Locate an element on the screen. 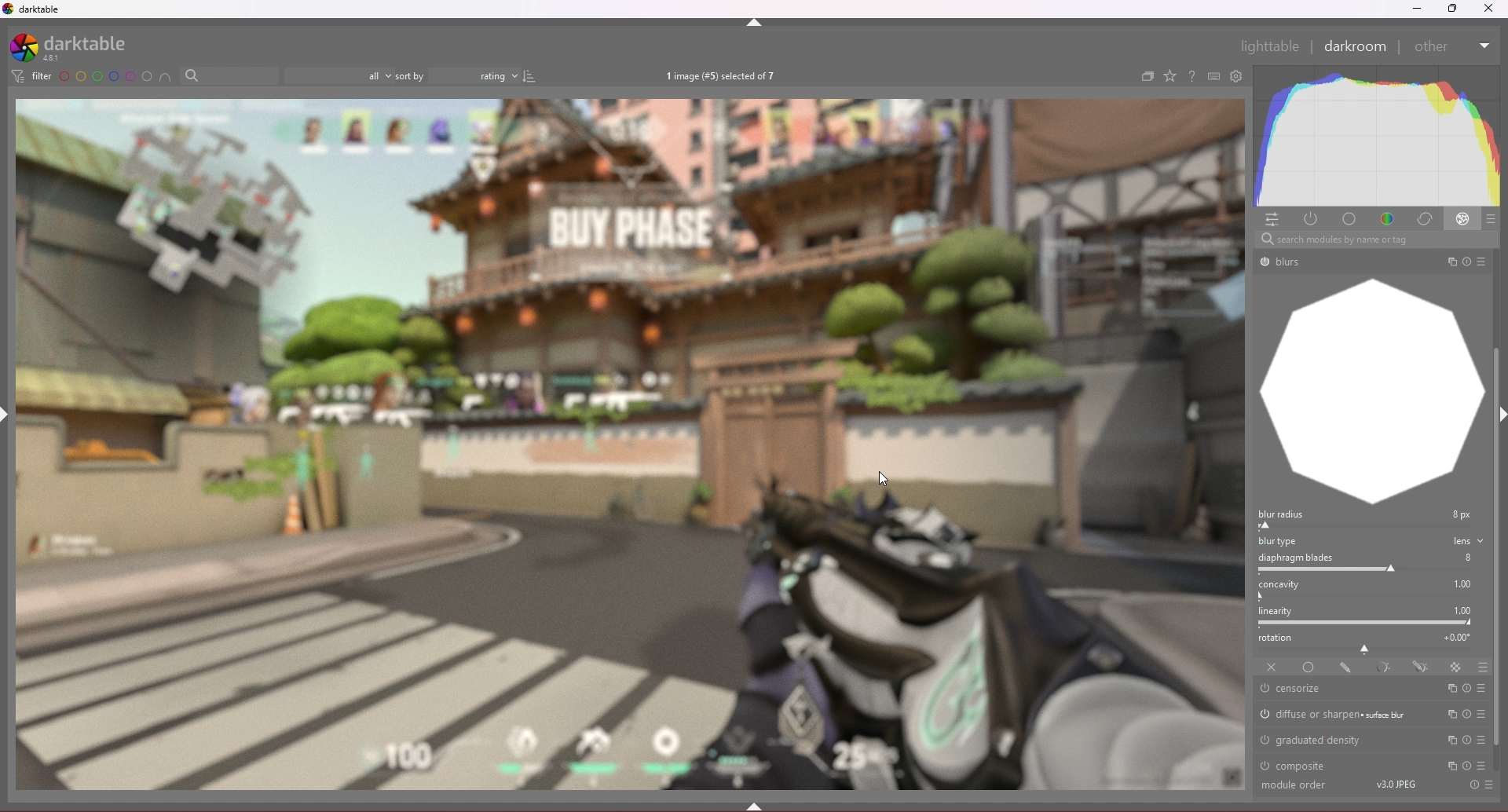 Image resolution: width=1508 pixels, height=812 pixels. color is located at coordinates (1389, 219).